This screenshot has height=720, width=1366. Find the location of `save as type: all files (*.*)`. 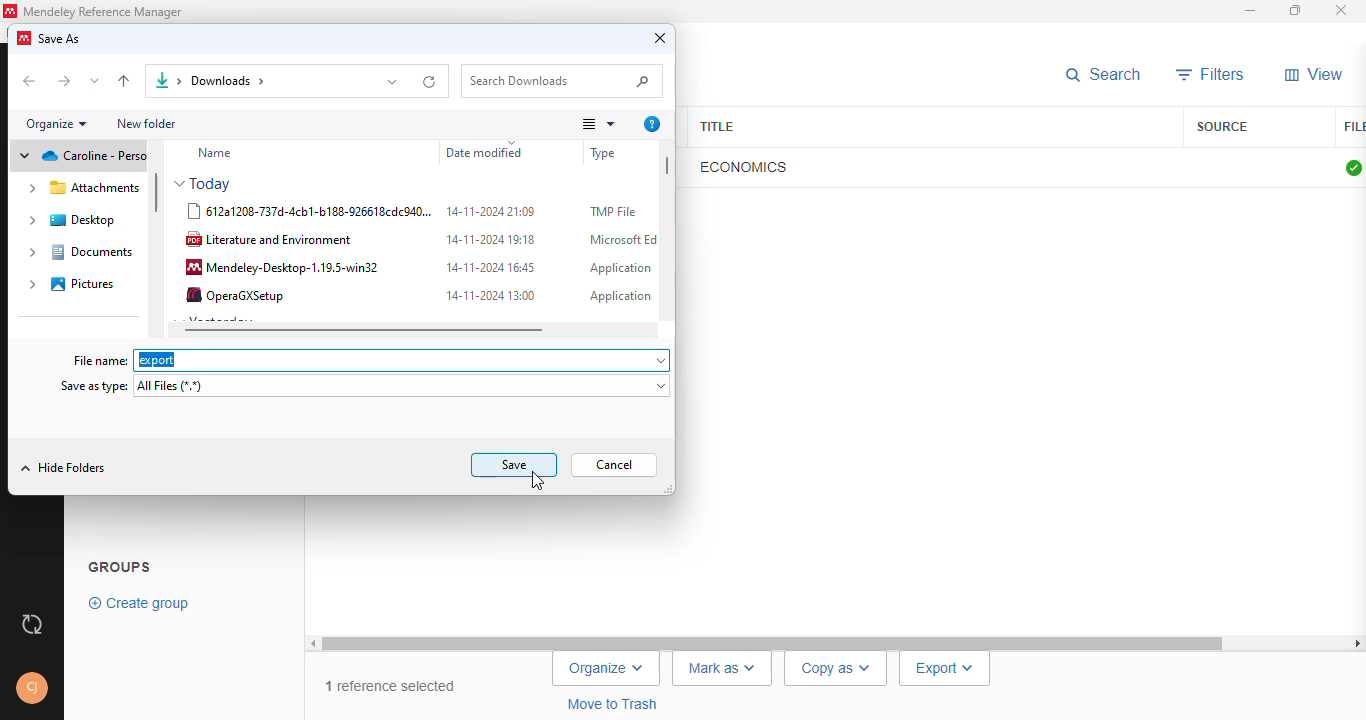

save as type: all files (*.*) is located at coordinates (366, 388).